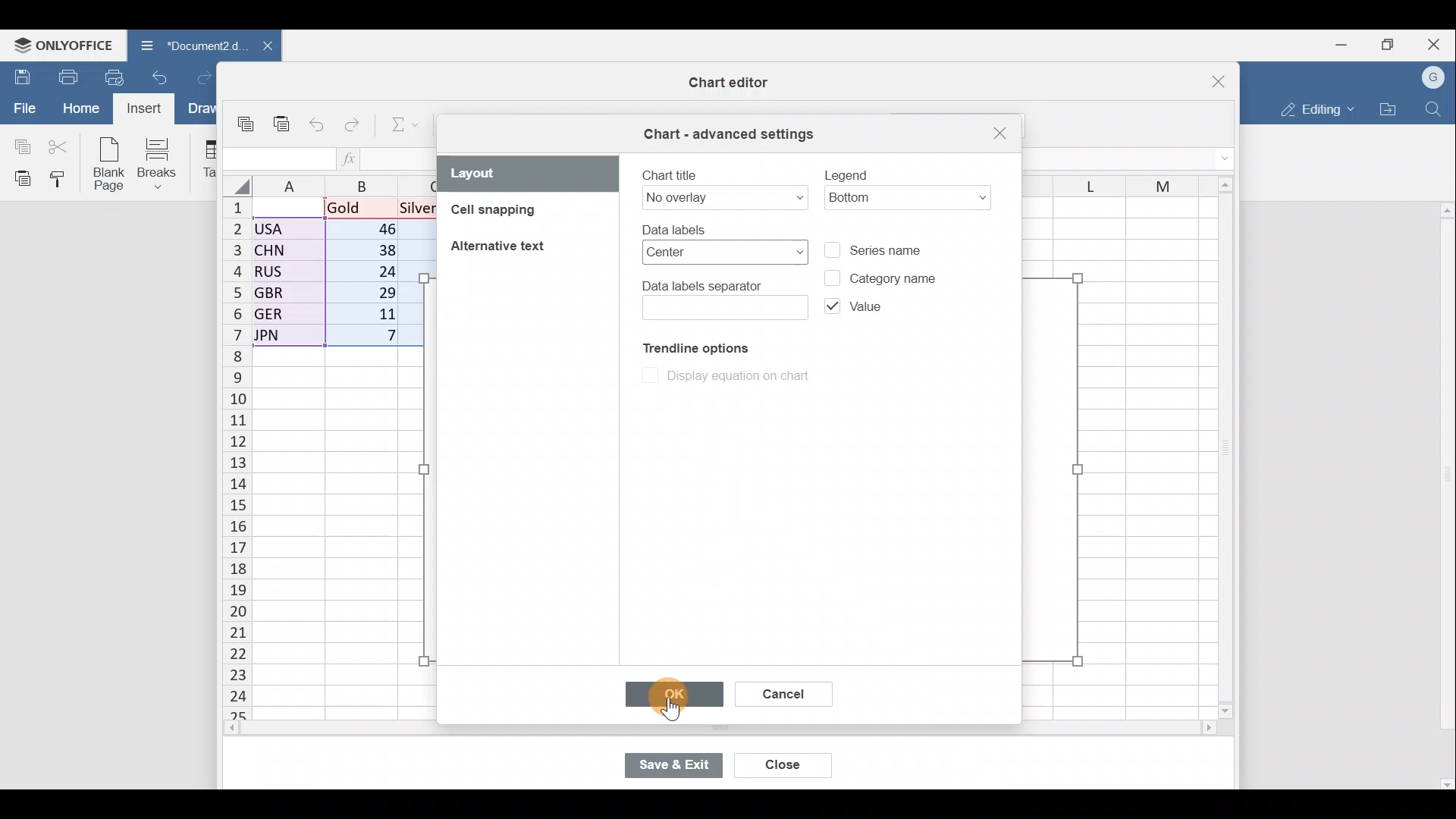 This screenshot has width=1456, height=819. What do you see at coordinates (347, 184) in the screenshot?
I see `Columns` at bounding box center [347, 184].